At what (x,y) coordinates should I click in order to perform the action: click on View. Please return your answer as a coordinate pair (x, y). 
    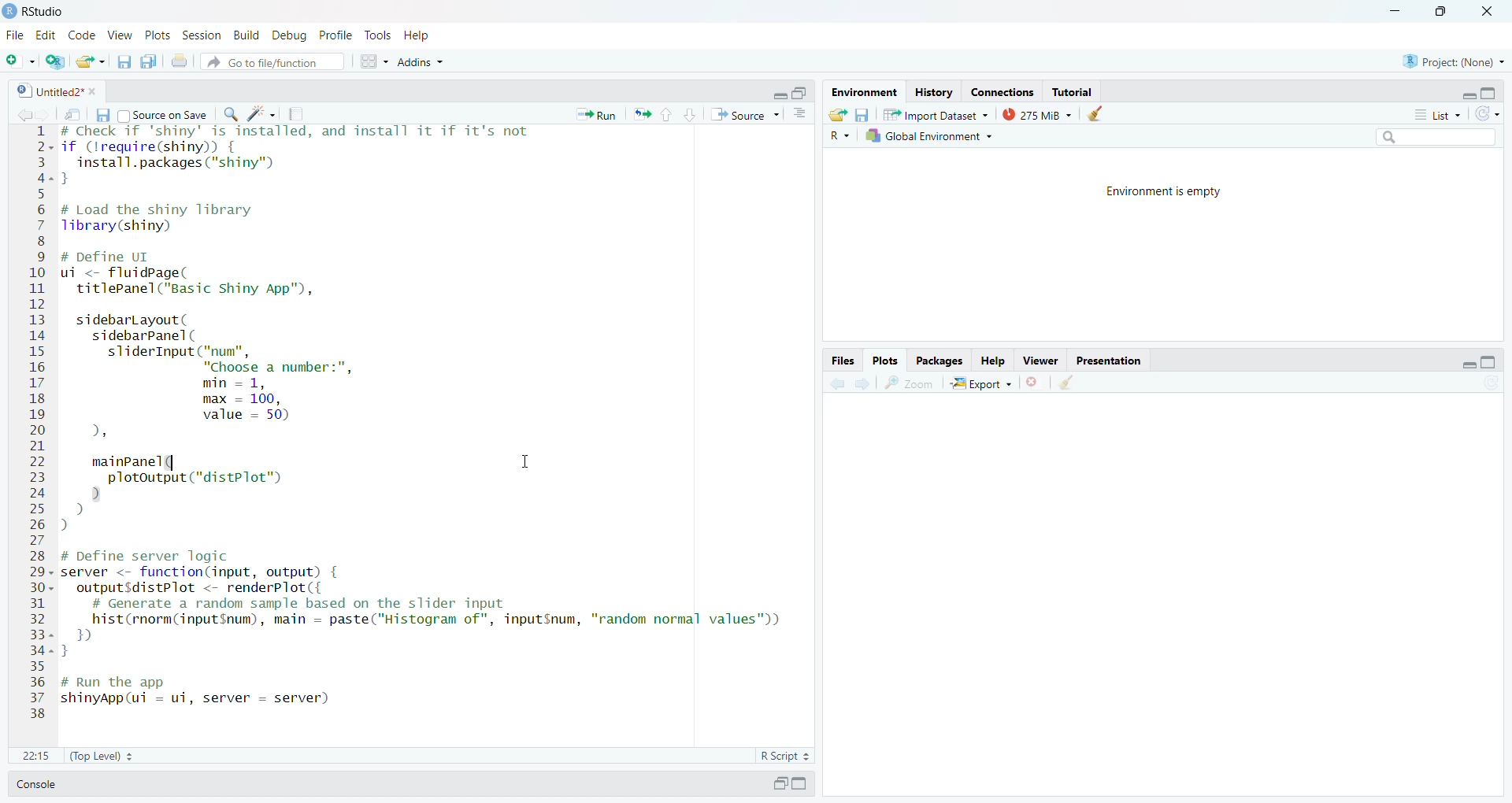
    Looking at the image, I should click on (120, 35).